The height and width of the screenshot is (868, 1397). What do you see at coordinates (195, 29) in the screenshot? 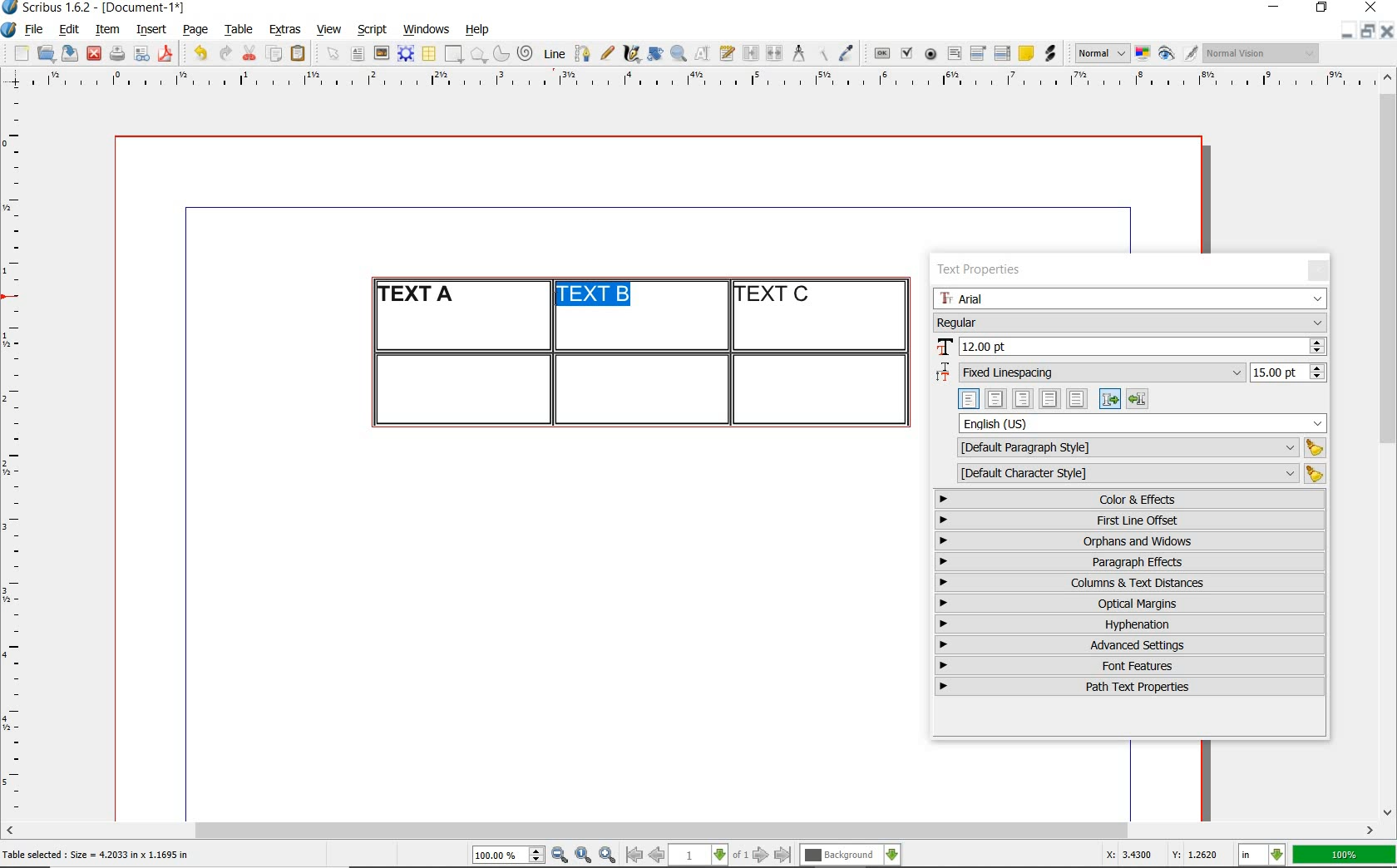
I see `page` at bounding box center [195, 29].